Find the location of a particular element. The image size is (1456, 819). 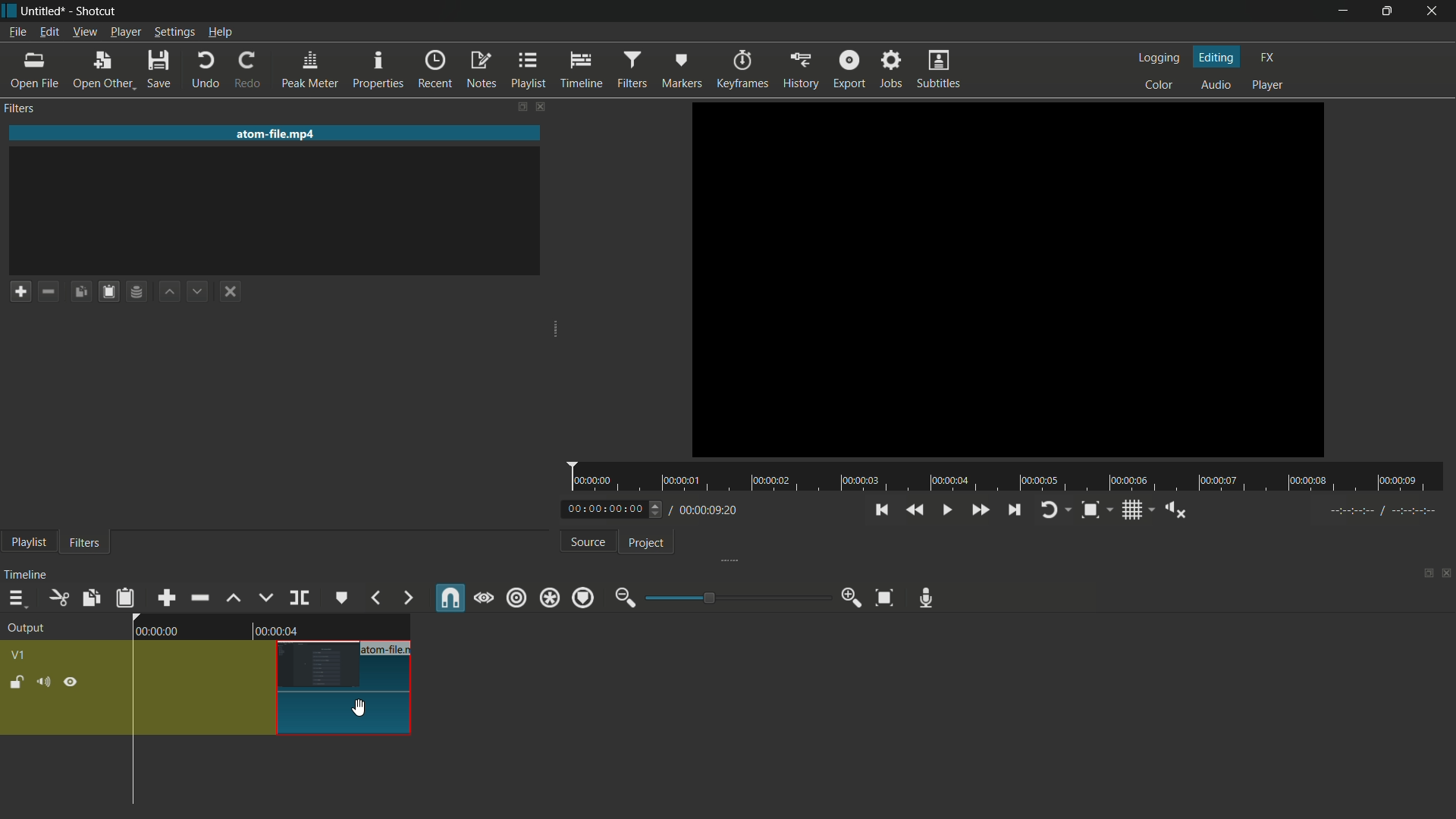

history is located at coordinates (802, 68).